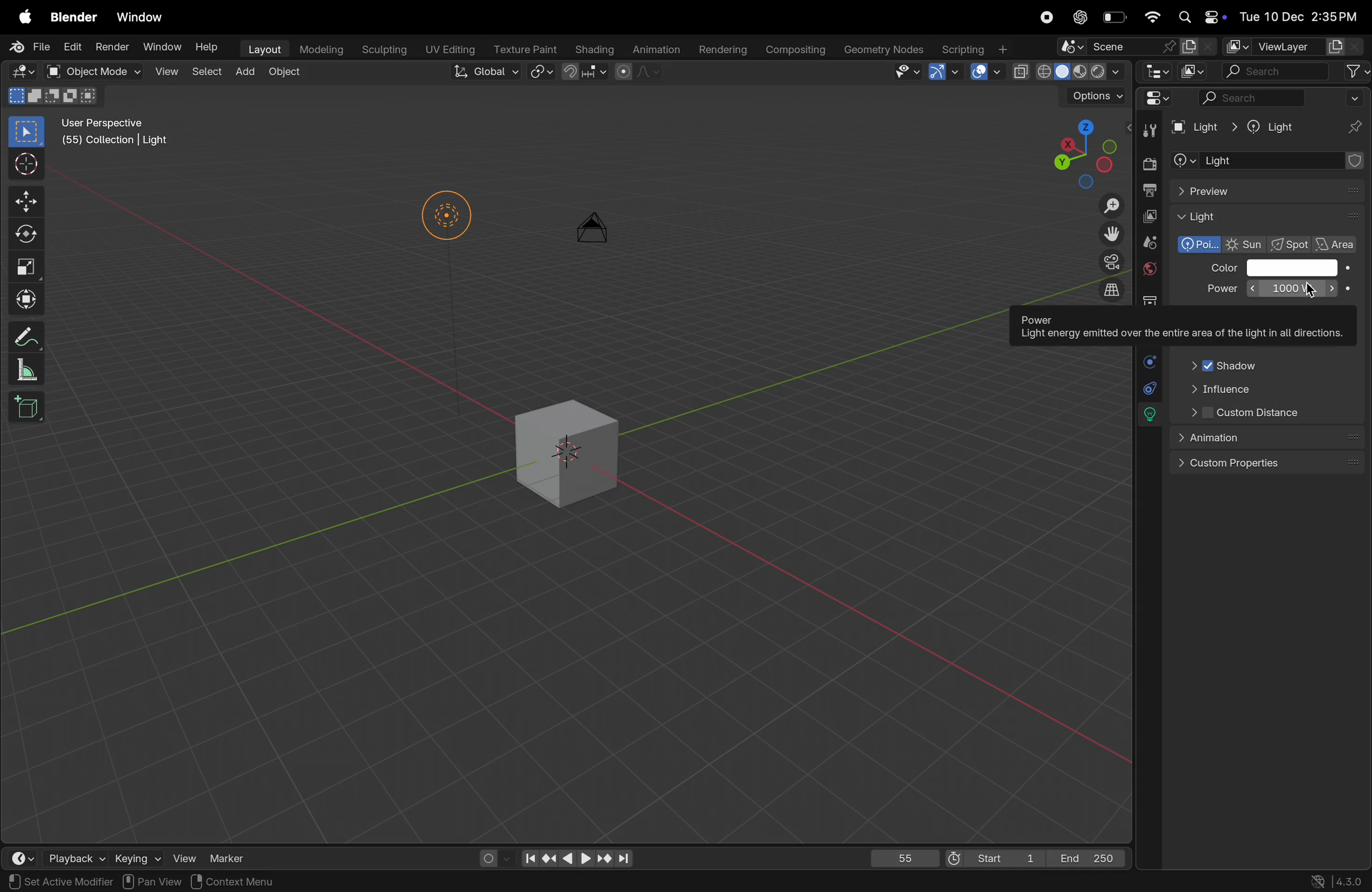  What do you see at coordinates (1199, 16) in the screenshot?
I see `apple widgets` at bounding box center [1199, 16].